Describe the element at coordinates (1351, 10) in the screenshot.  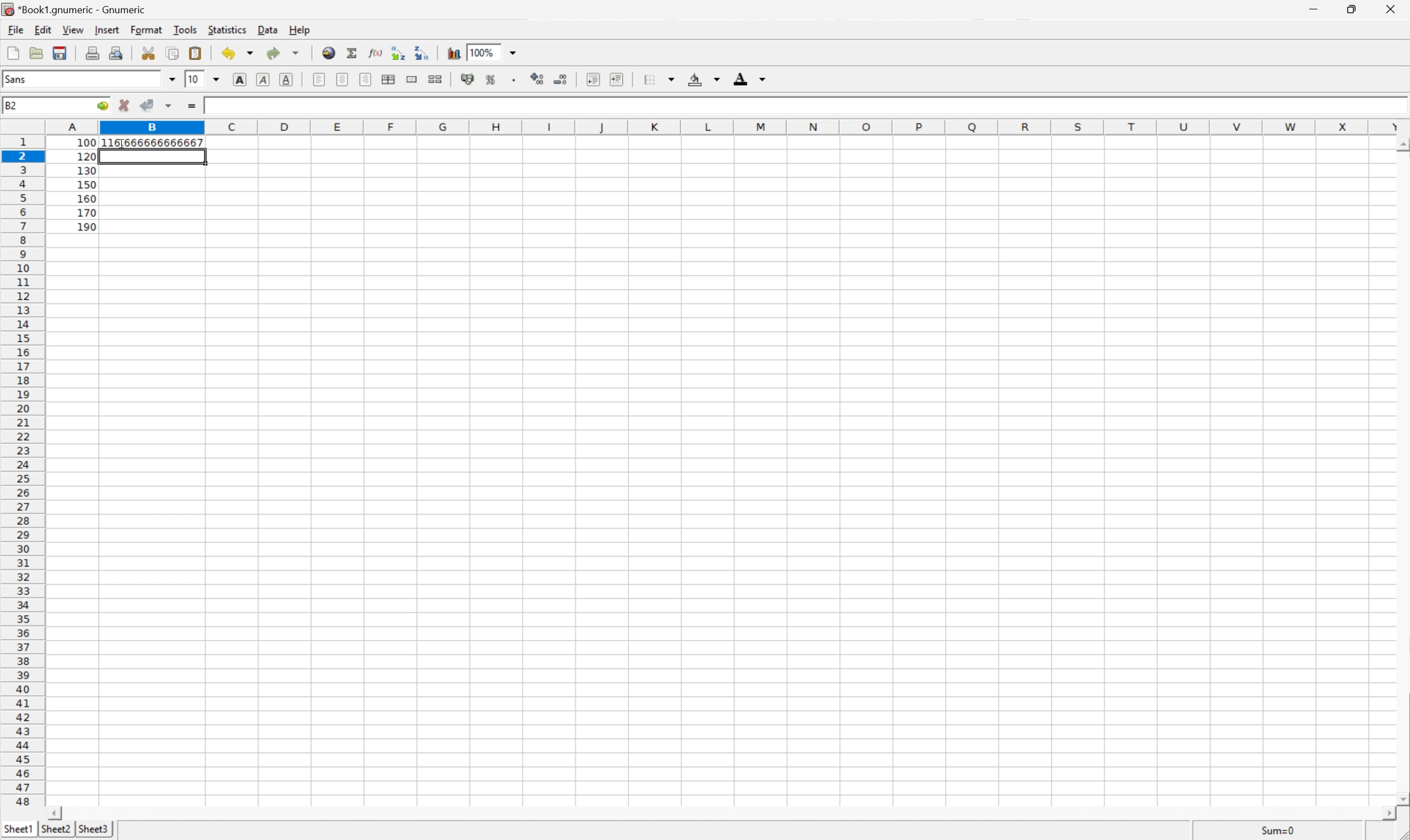
I see `Restore Down` at that location.